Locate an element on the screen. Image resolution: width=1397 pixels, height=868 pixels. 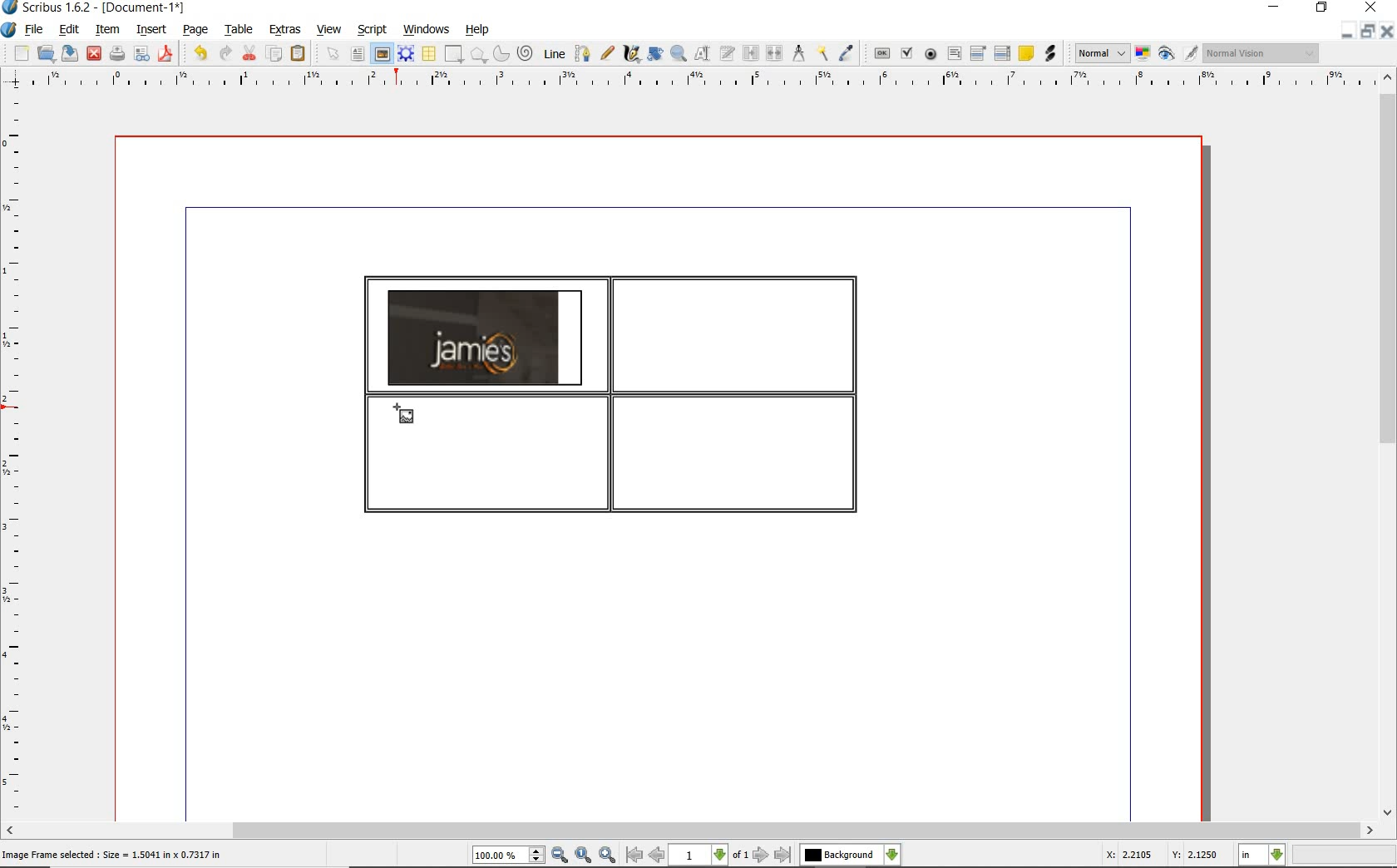
scrollbar is located at coordinates (689, 831).